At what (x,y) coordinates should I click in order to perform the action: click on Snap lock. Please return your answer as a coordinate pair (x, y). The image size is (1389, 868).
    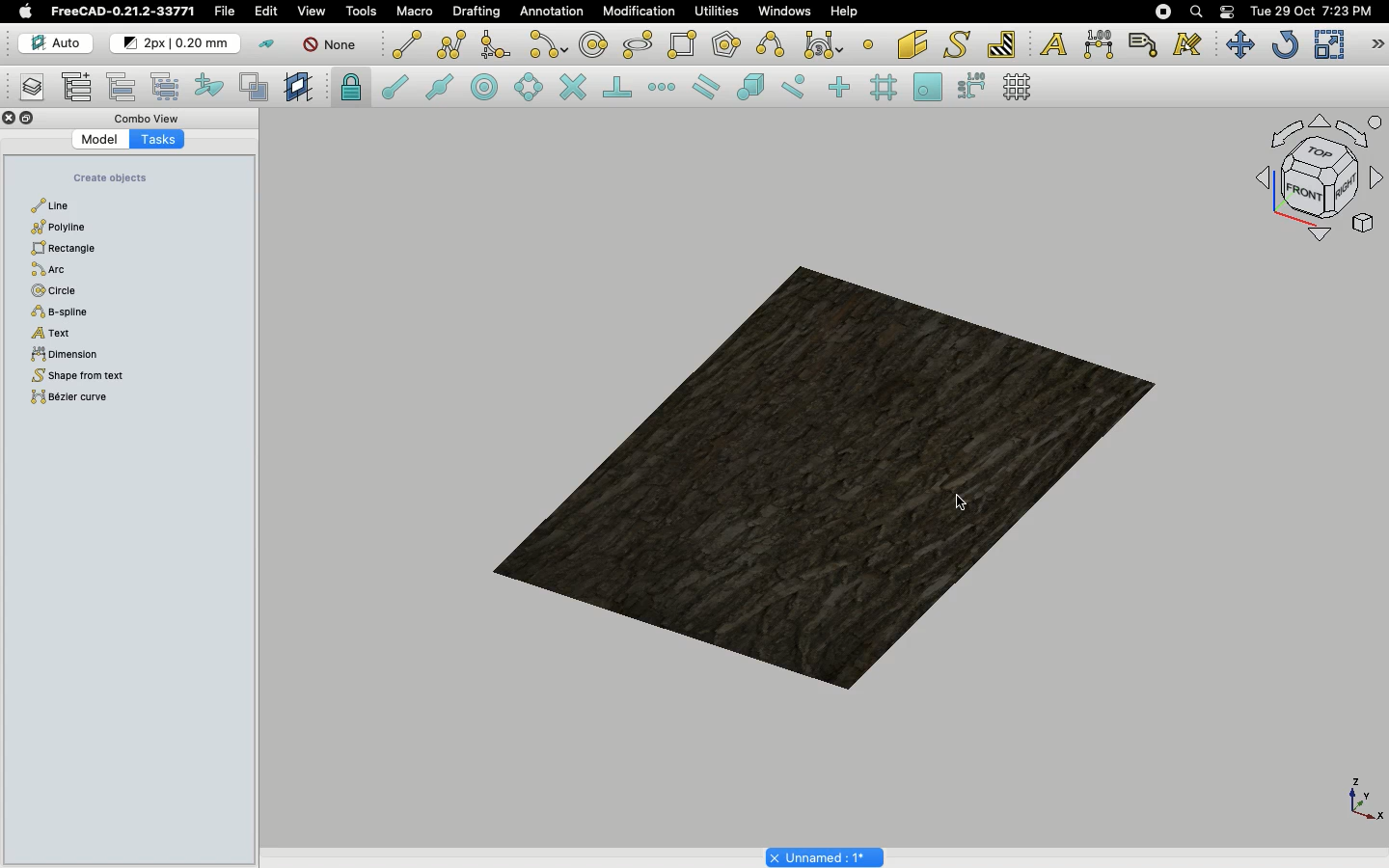
    Looking at the image, I should click on (351, 87).